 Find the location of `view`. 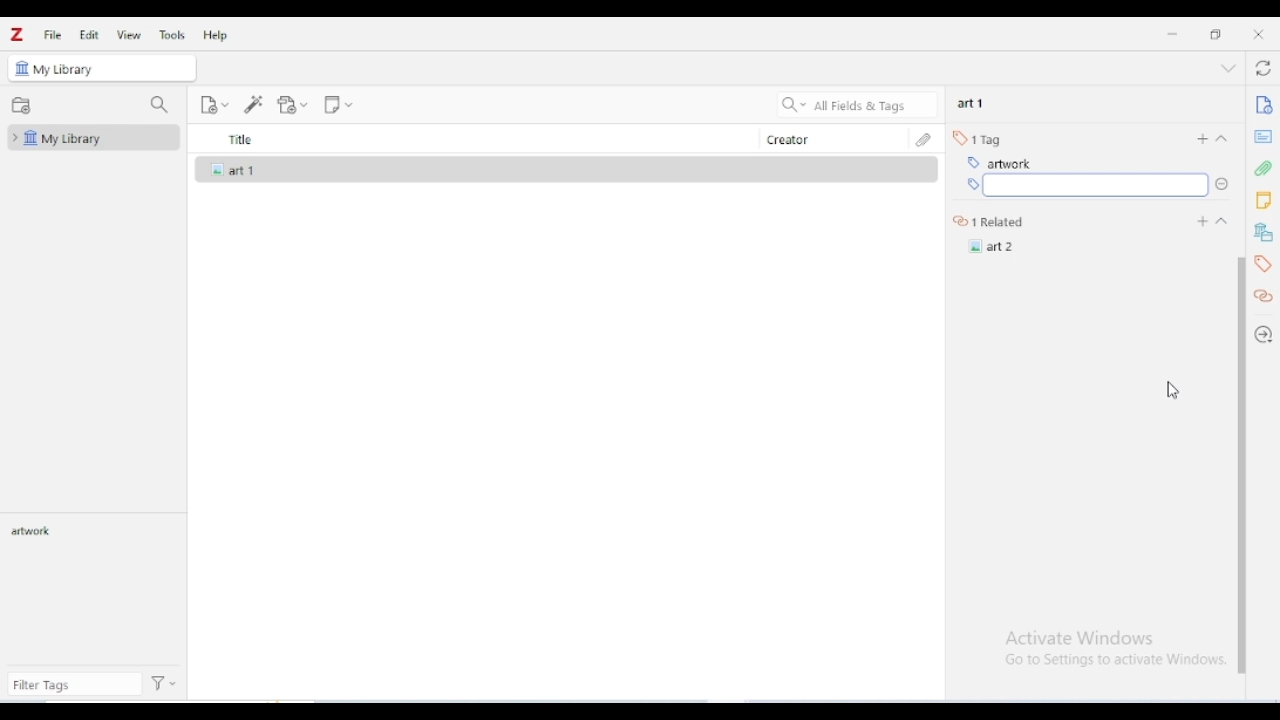

view is located at coordinates (129, 34).